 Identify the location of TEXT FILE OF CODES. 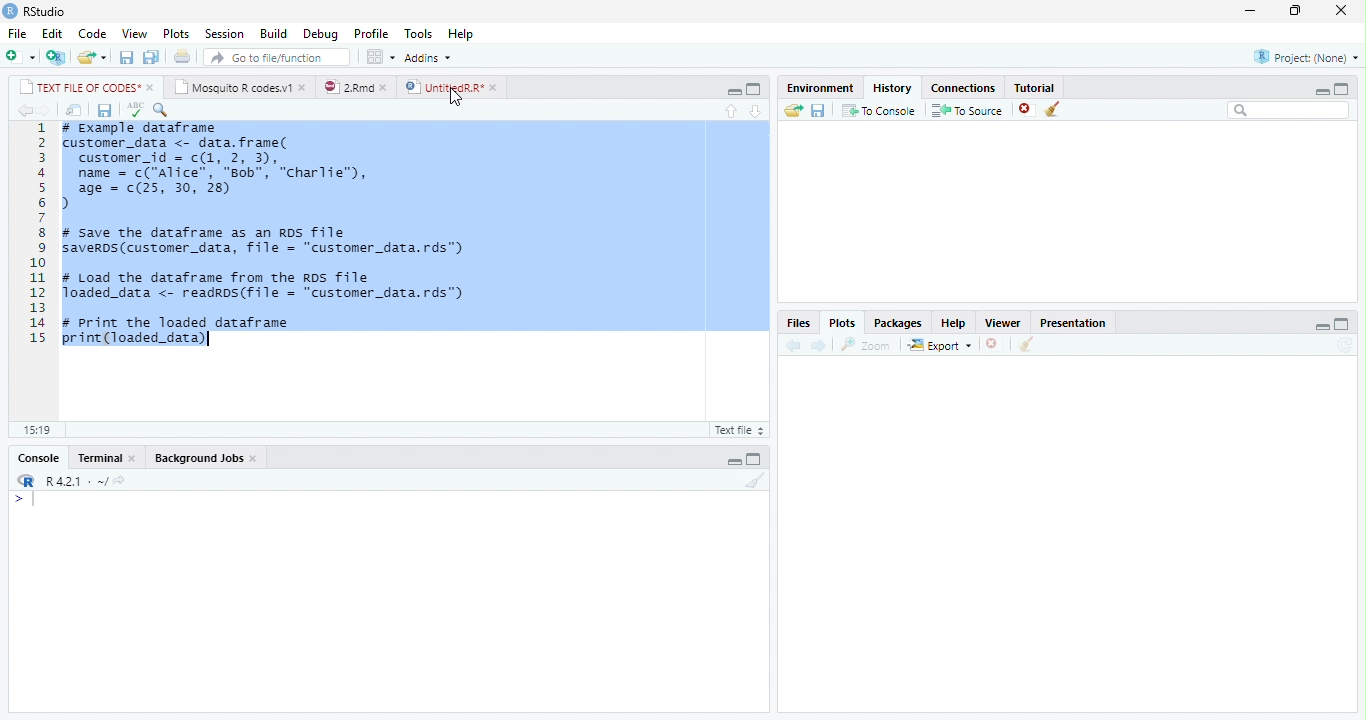
(76, 87).